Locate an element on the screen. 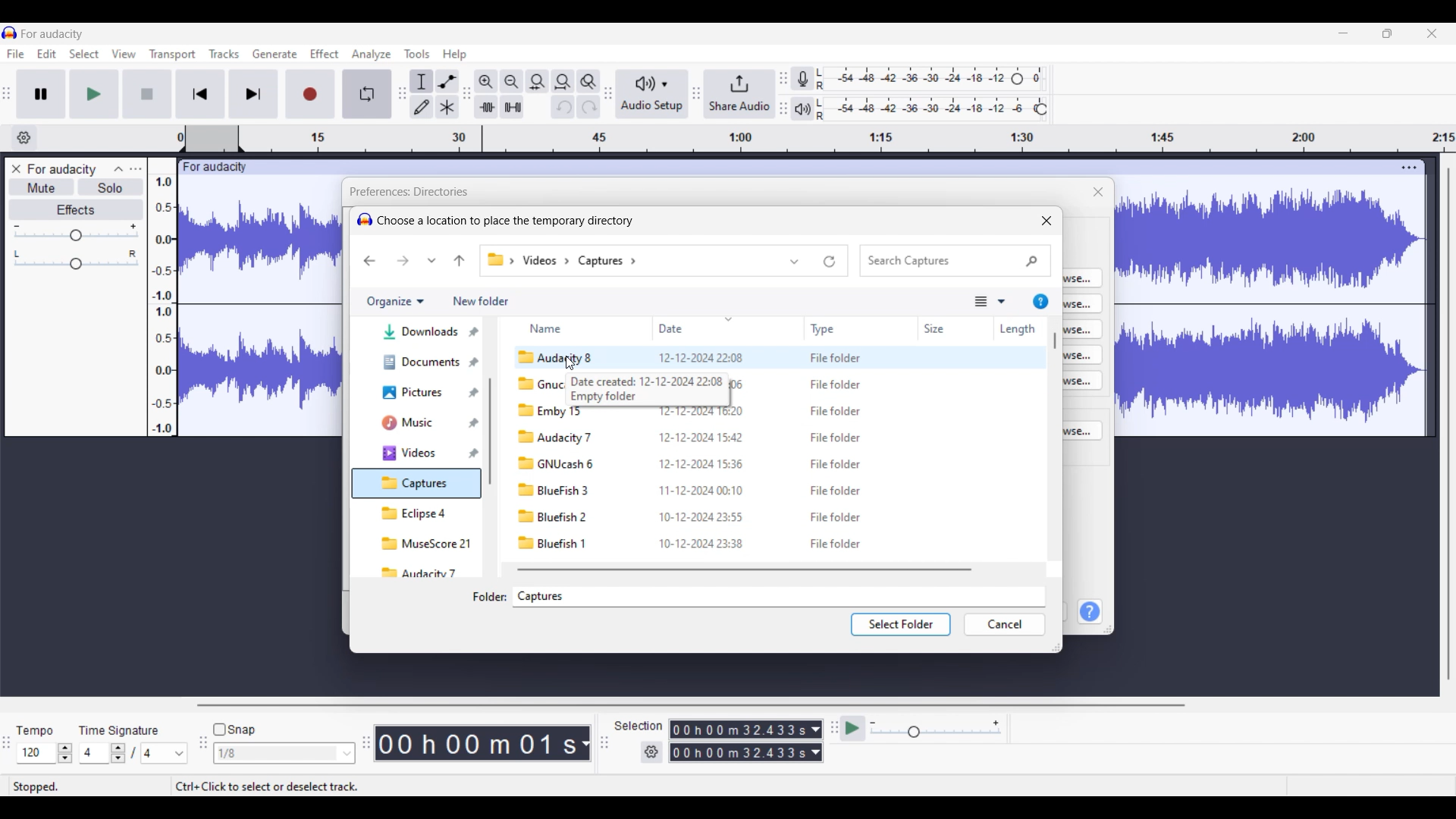 The image size is (1456, 819). Play/Play once is located at coordinates (95, 94).